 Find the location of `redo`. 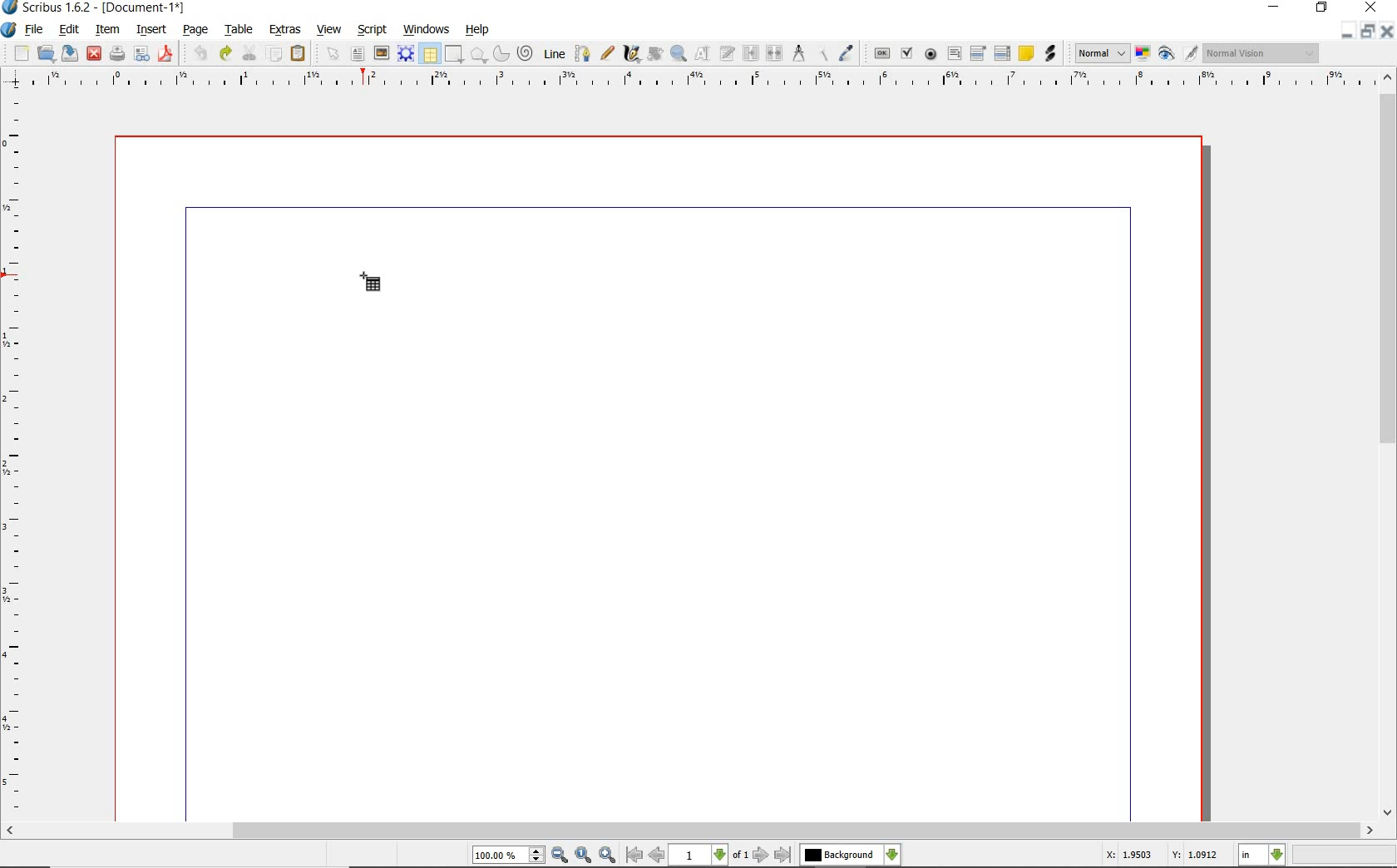

redo is located at coordinates (225, 52).